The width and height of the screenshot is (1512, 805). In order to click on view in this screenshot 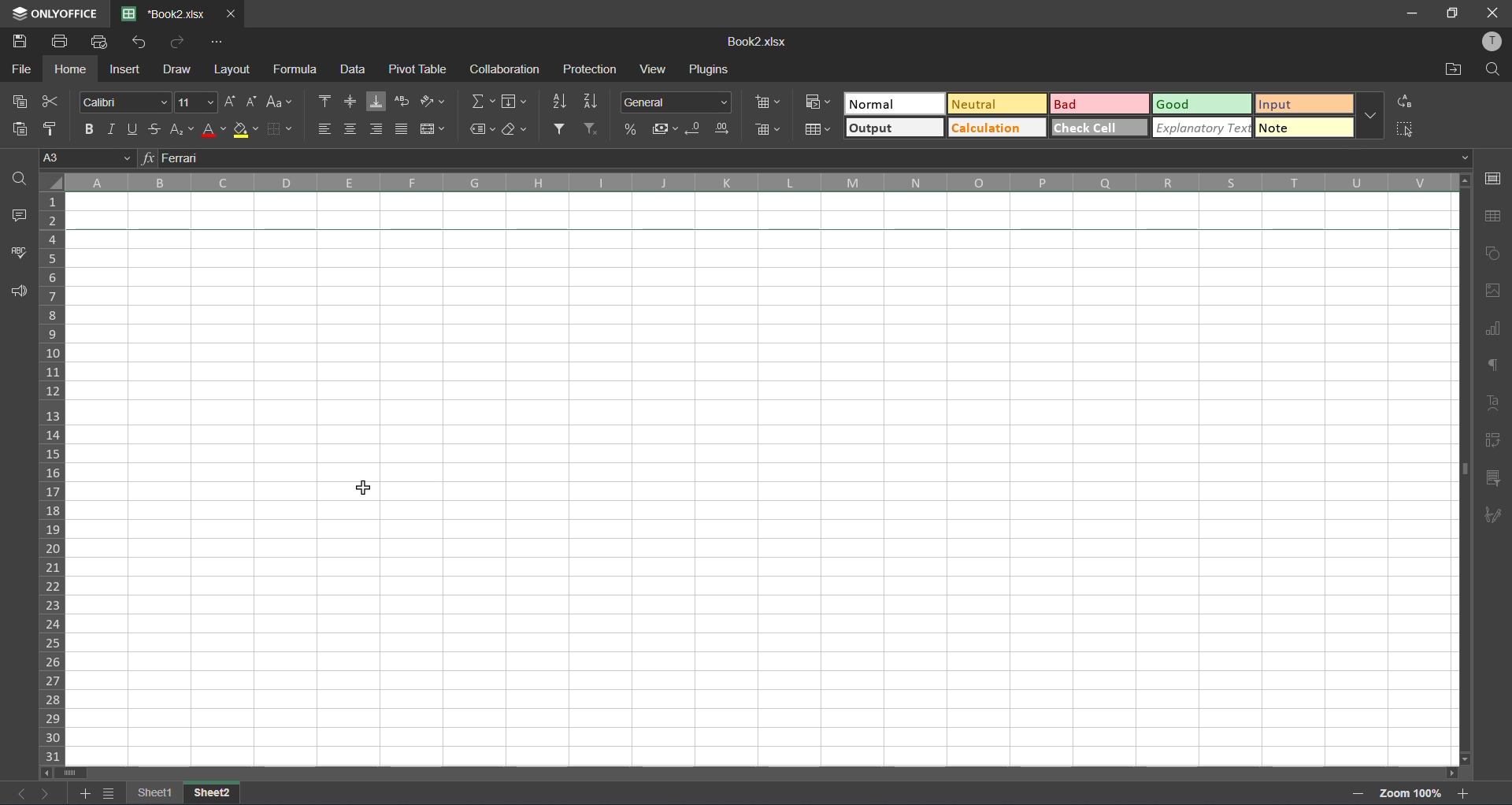, I will do `click(651, 69)`.